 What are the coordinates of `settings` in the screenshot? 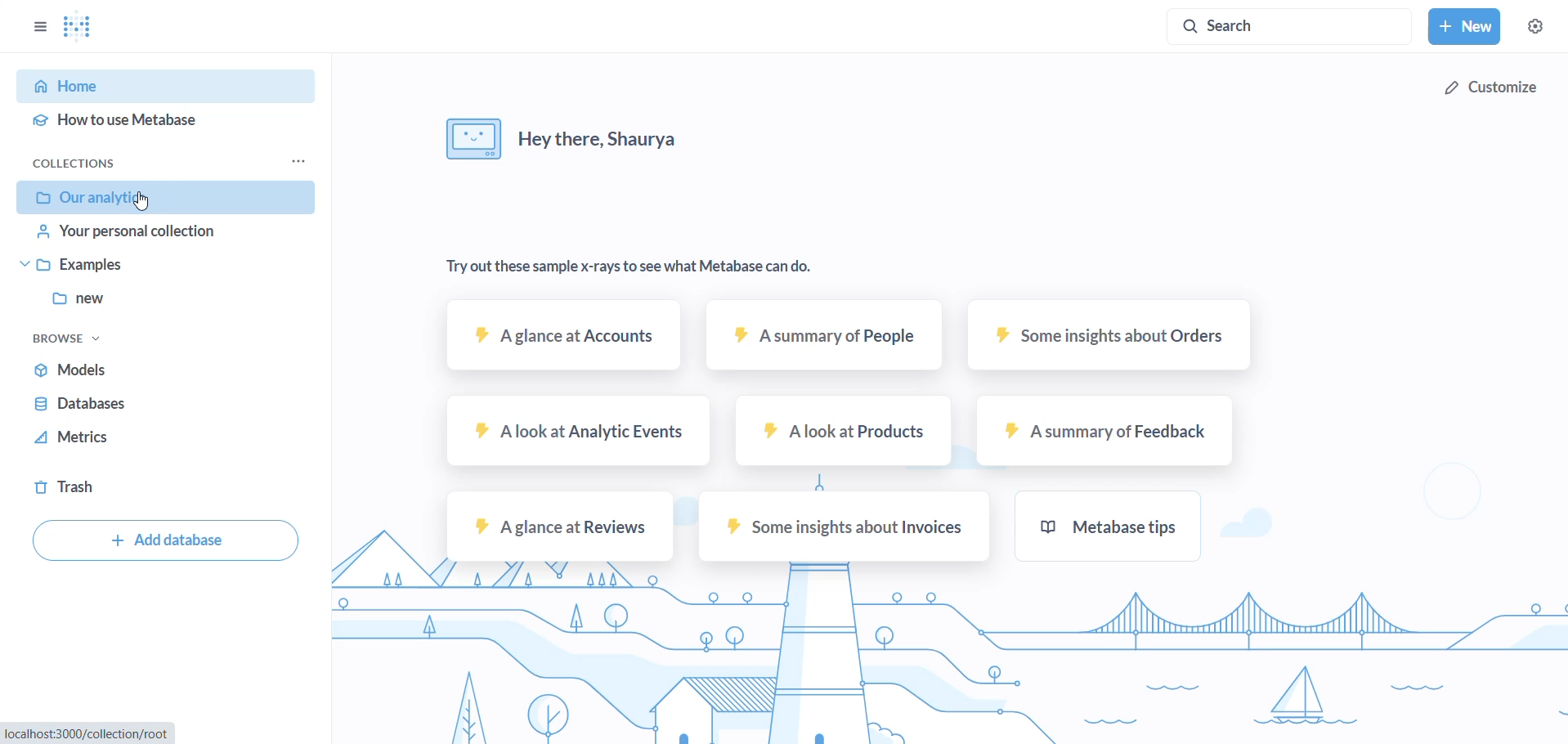 It's located at (1536, 26).